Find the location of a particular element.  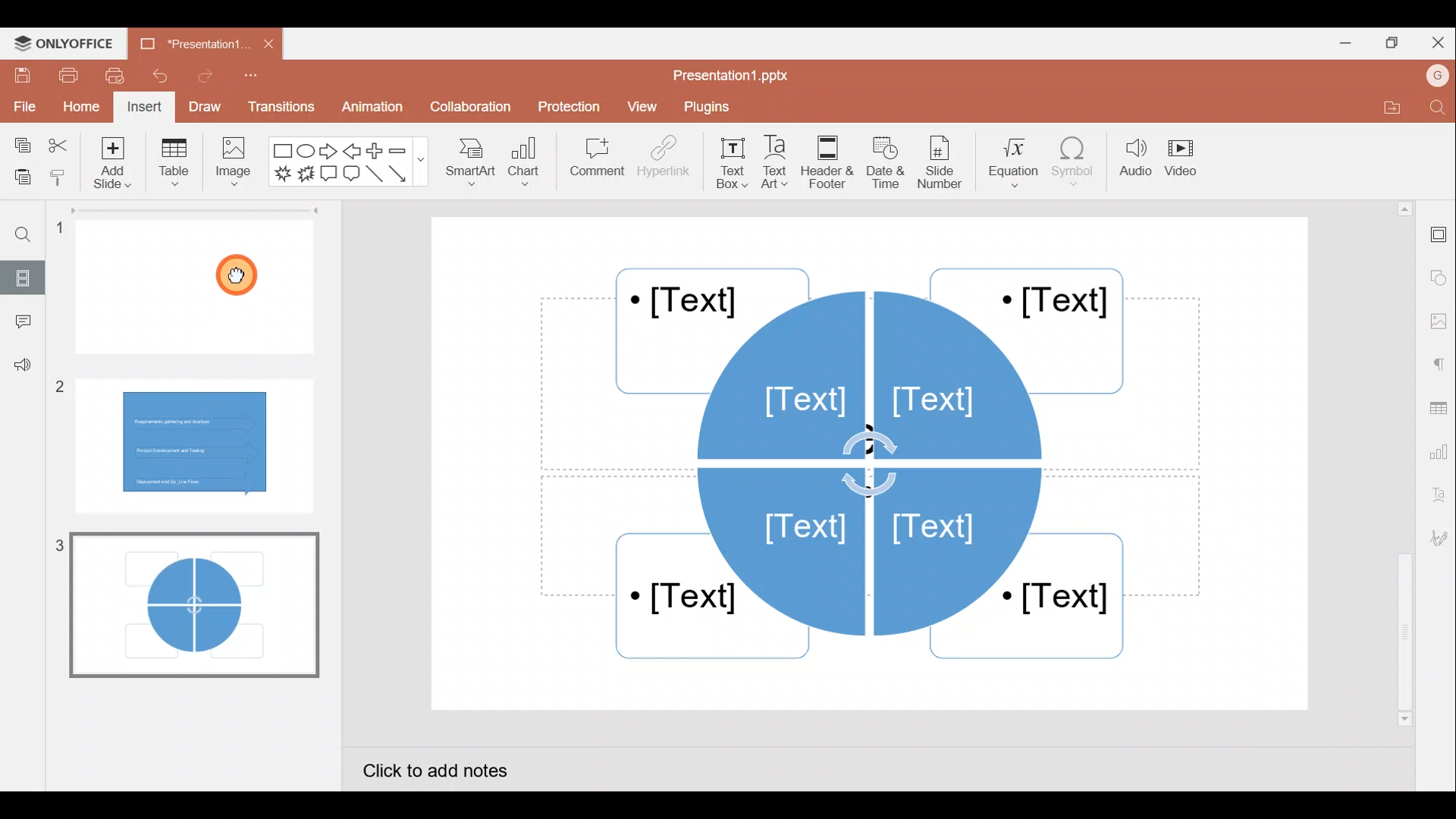

ONLYOFFICE Menu is located at coordinates (72, 44).